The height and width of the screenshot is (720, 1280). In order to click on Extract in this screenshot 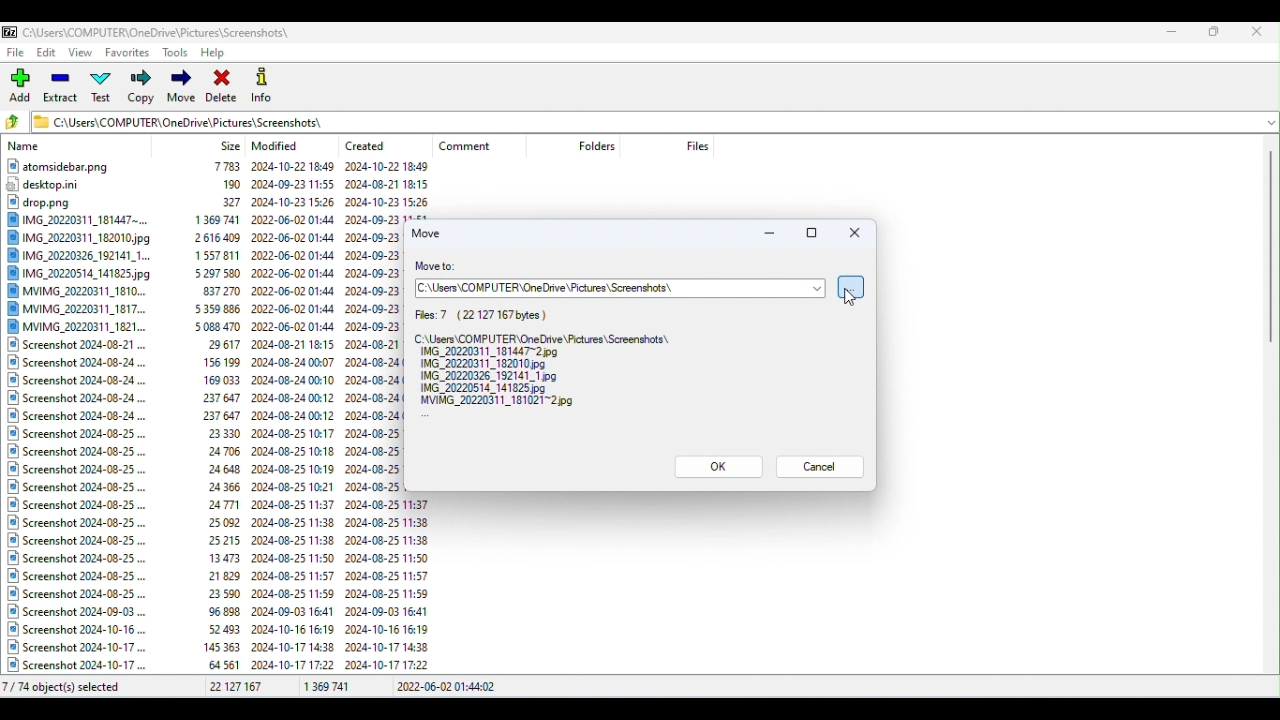, I will do `click(62, 89)`.